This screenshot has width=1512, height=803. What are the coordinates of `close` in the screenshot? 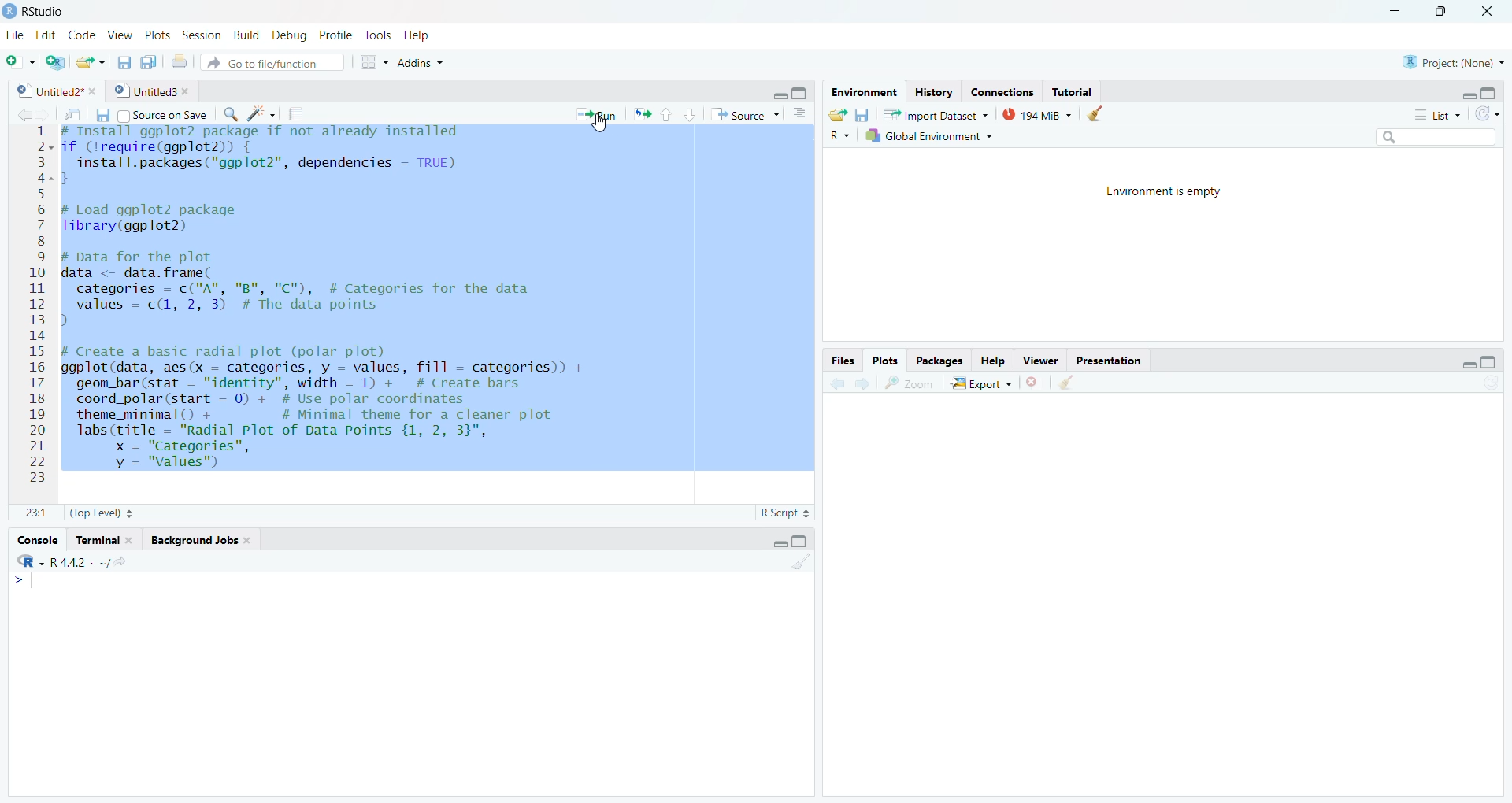 It's located at (1035, 384).